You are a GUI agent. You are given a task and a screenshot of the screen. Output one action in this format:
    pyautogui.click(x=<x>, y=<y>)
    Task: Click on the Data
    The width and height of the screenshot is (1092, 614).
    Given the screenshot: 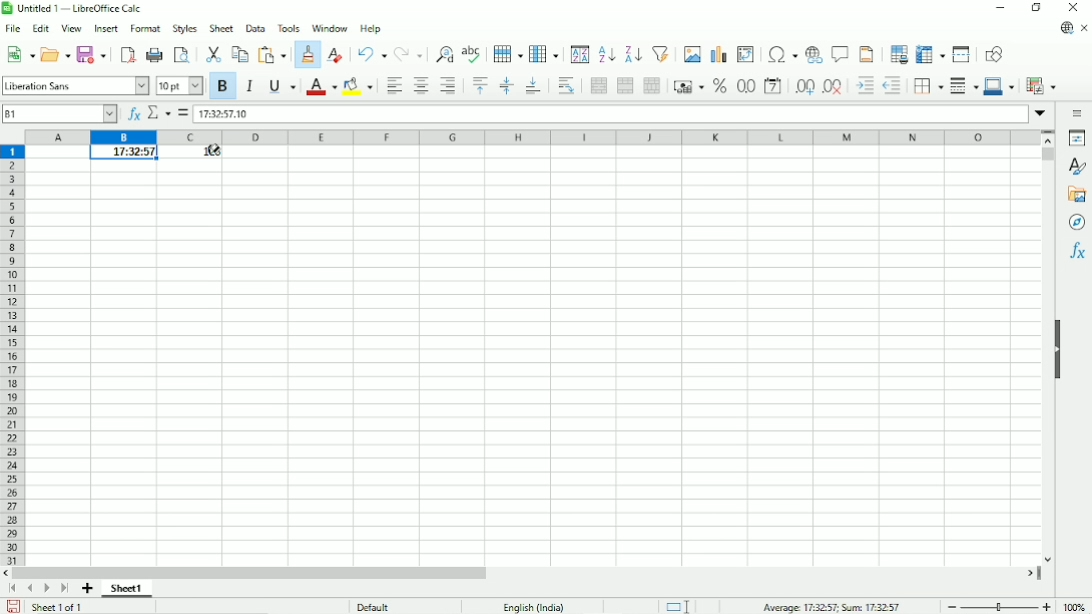 What is the action you would take?
    pyautogui.click(x=255, y=28)
    